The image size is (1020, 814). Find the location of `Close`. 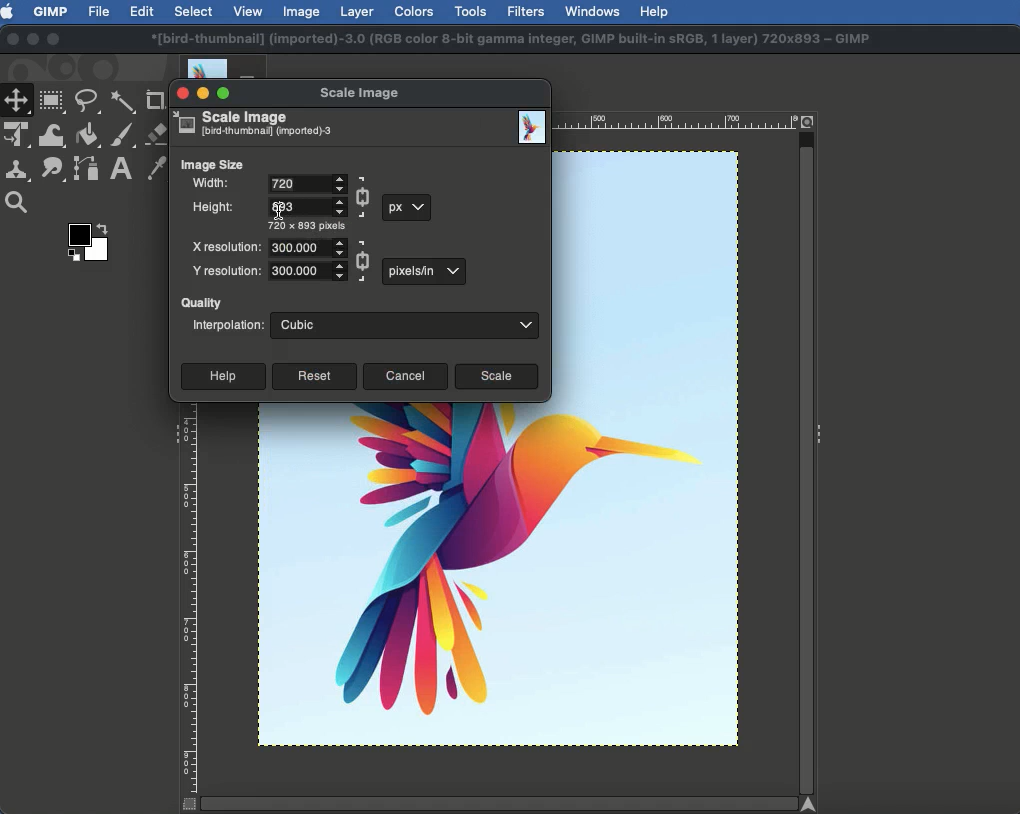

Close is located at coordinates (11, 40).